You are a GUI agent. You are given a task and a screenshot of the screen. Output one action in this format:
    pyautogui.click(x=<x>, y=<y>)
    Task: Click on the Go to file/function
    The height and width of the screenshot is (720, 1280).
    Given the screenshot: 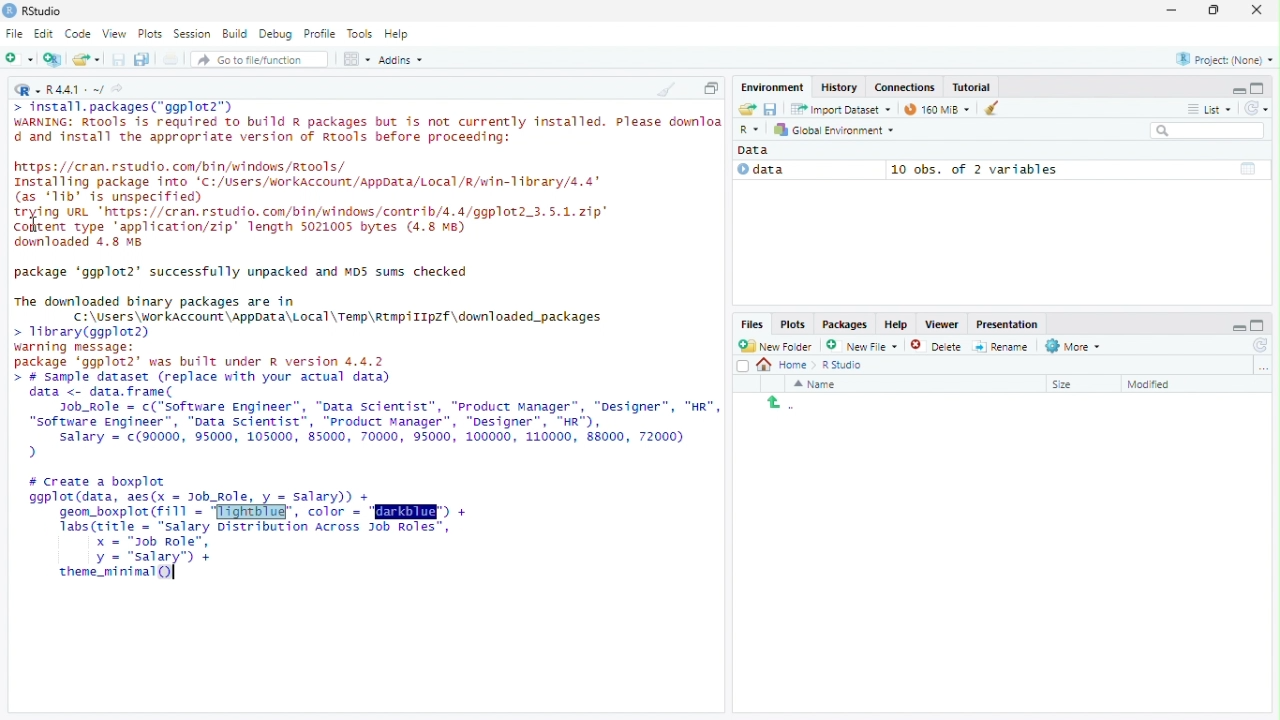 What is the action you would take?
    pyautogui.click(x=260, y=59)
    